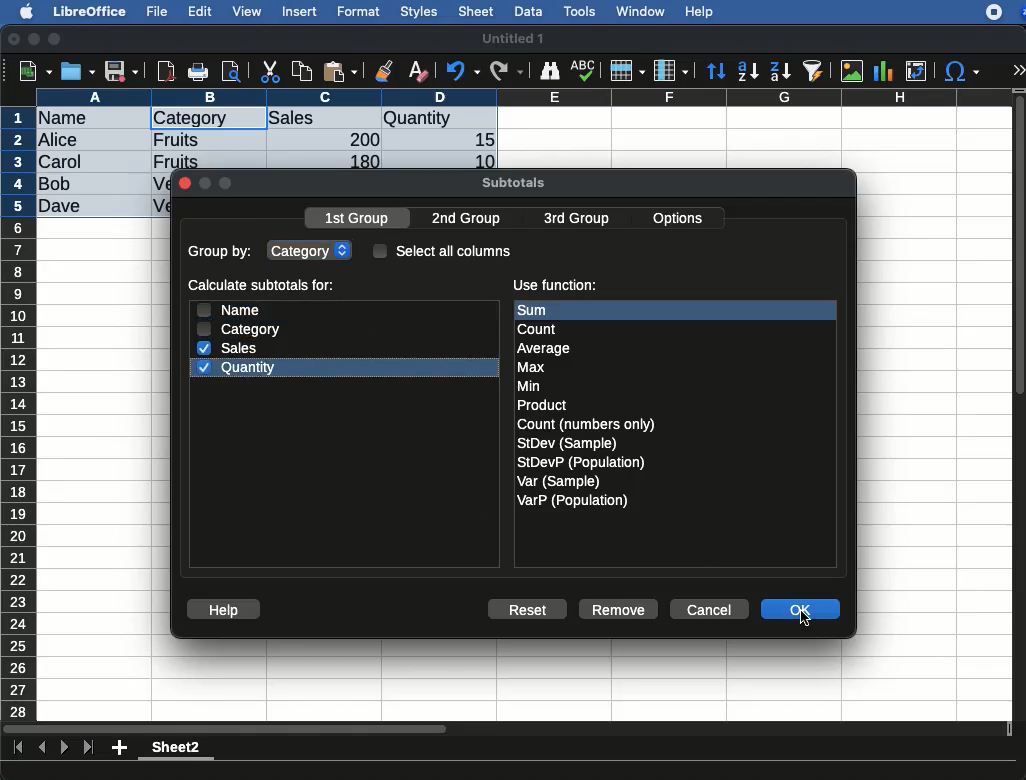 This screenshot has width=1026, height=780. What do you see at coordinates (809, 618) in the screenshot?
I see `click` at bounding box center [809, 618].